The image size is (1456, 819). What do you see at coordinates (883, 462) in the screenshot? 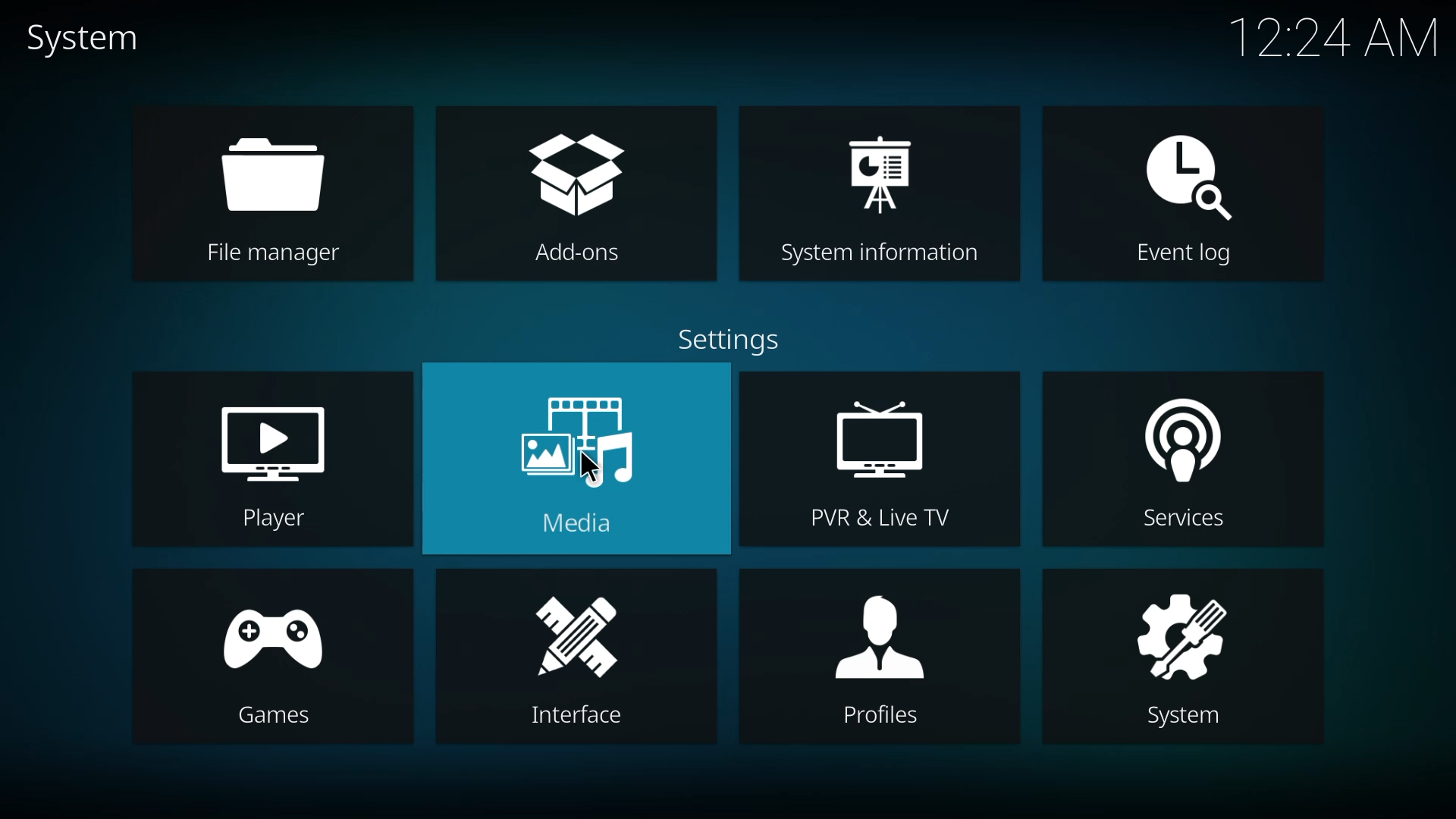
I see `pvr & live tv` at bounding box center [883, 462].